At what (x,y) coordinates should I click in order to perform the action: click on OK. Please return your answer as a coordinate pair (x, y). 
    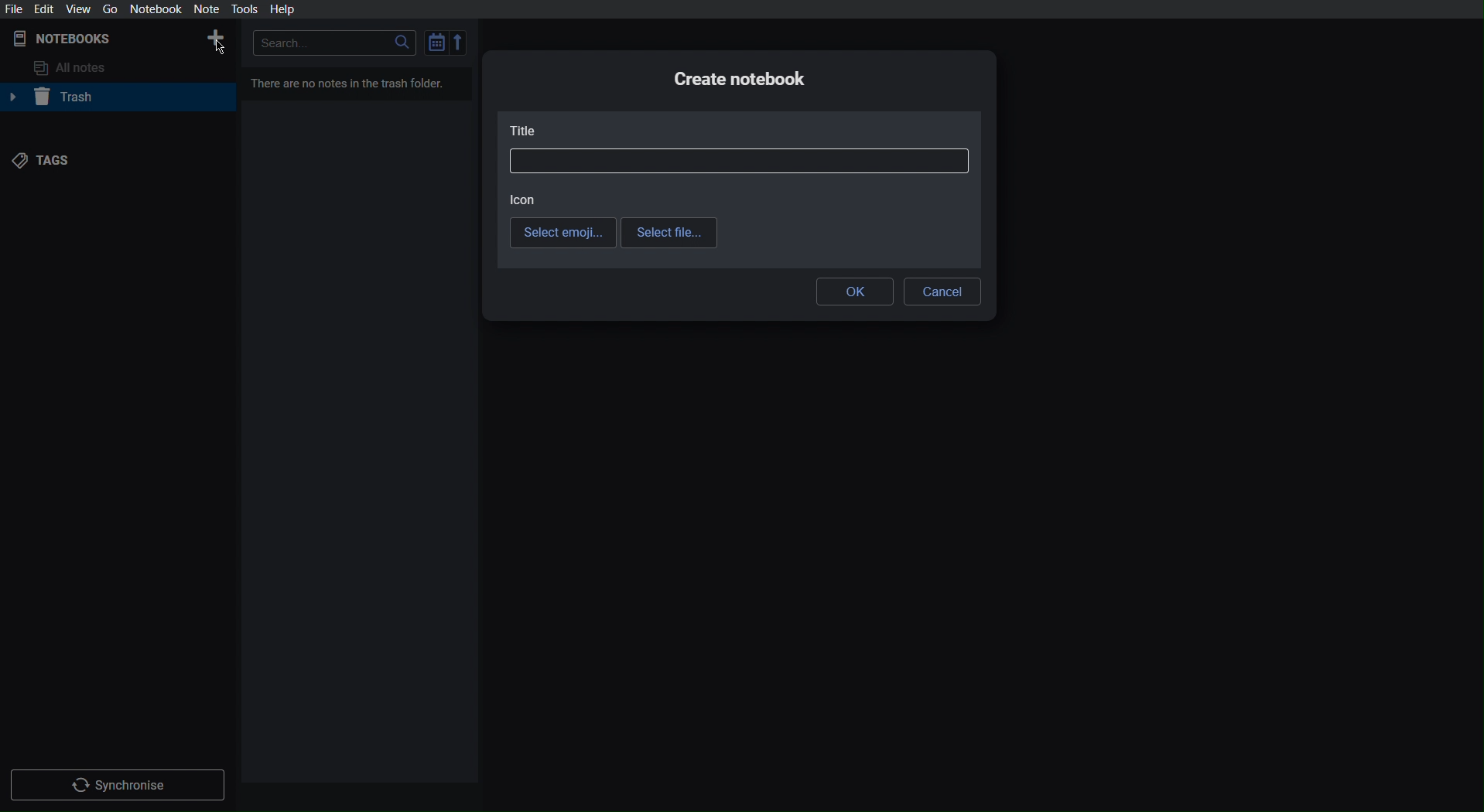
    Looking at the image, I should click on (853, 292).